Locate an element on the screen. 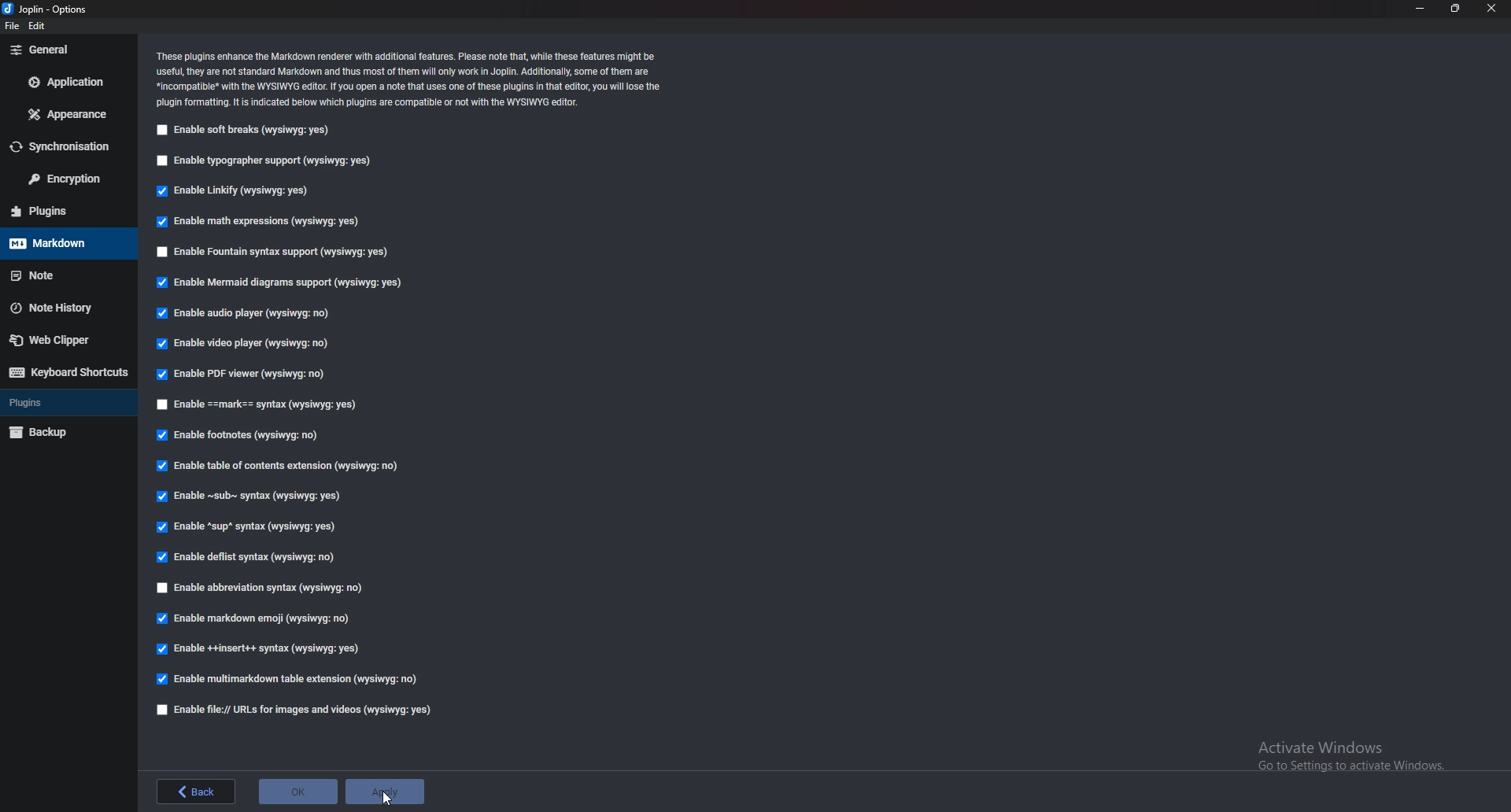  back is located at coordinates (197, 792).